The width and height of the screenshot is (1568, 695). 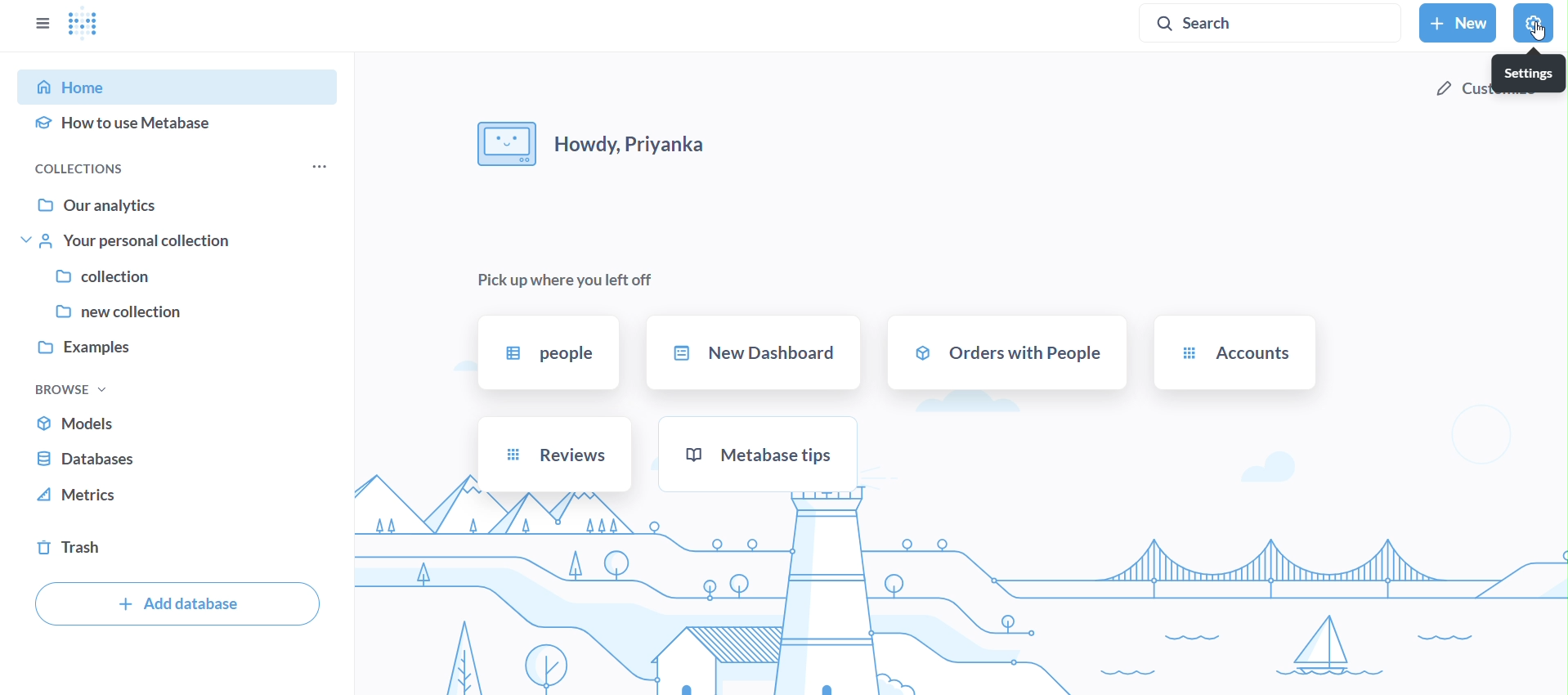 I want to click on collection, so click(x=180, y=277).